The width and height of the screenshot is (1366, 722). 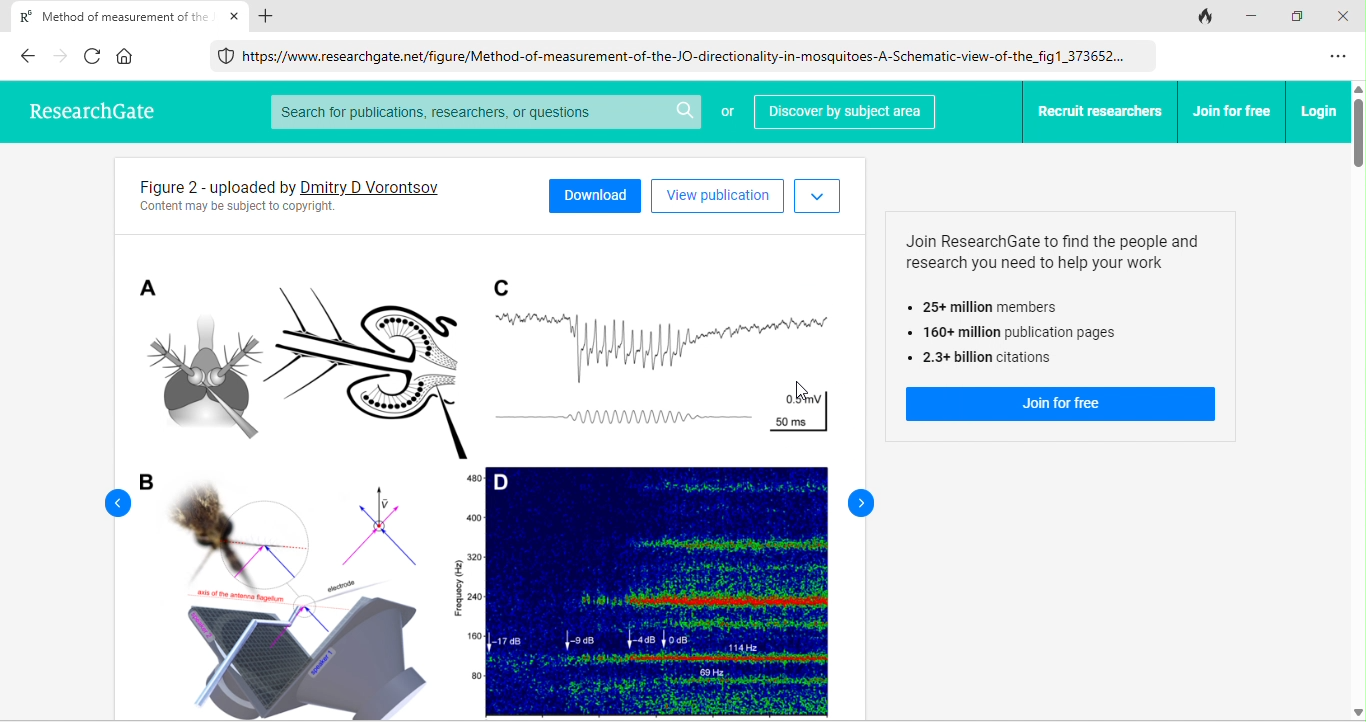 What do you see at coordinates (27, 55) in the screenshot?
I see `back` at bounding box center [27, 55].